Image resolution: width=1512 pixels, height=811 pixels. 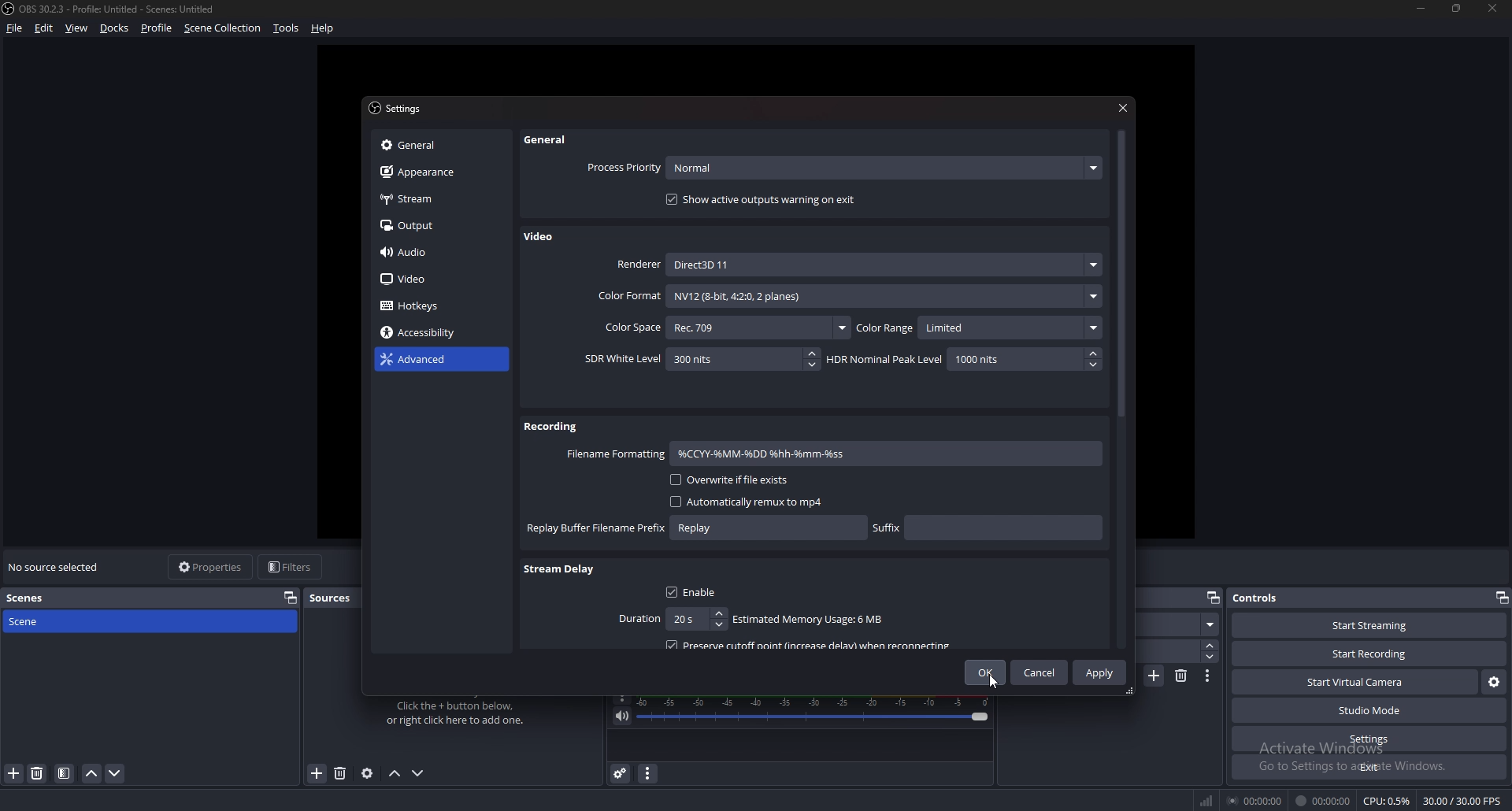 What do you see at coordinates (622, 717) in the screenshot?
I see `mute` at bounding box center [622, 717].